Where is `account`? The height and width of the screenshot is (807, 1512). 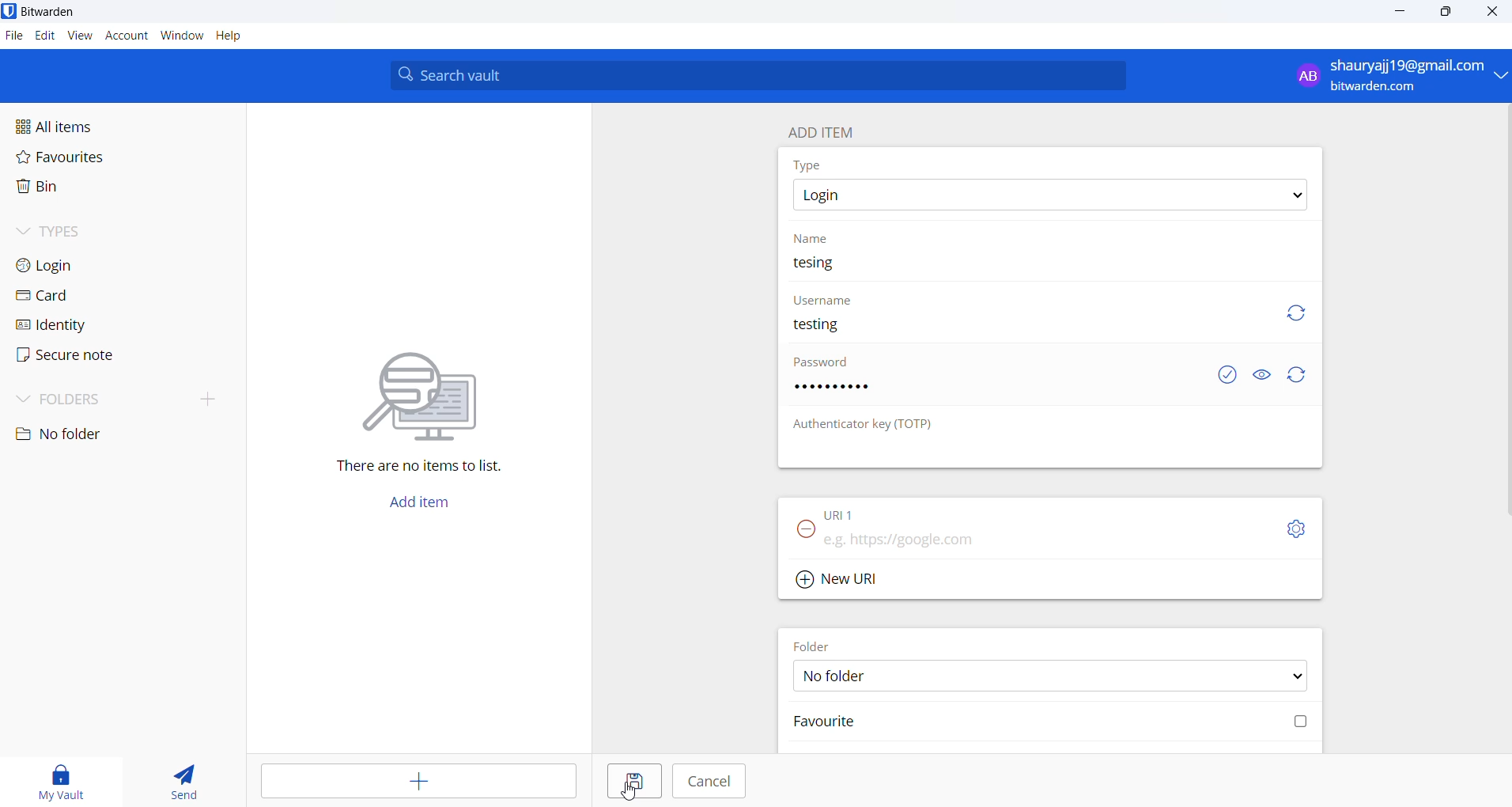 account is located at coordinates (128, 36).